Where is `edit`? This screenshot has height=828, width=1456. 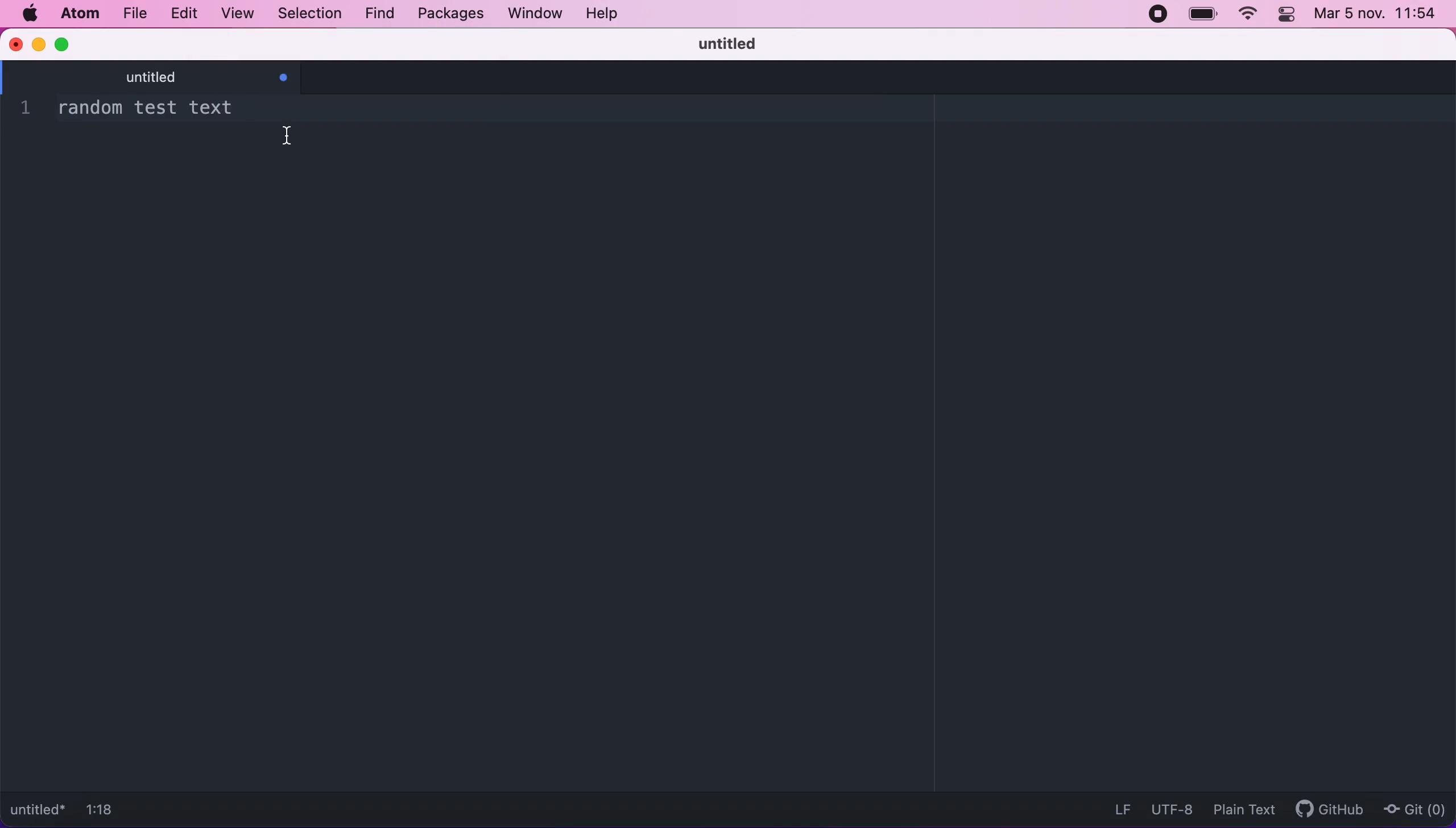 edit is located at coordinates (188, 14).